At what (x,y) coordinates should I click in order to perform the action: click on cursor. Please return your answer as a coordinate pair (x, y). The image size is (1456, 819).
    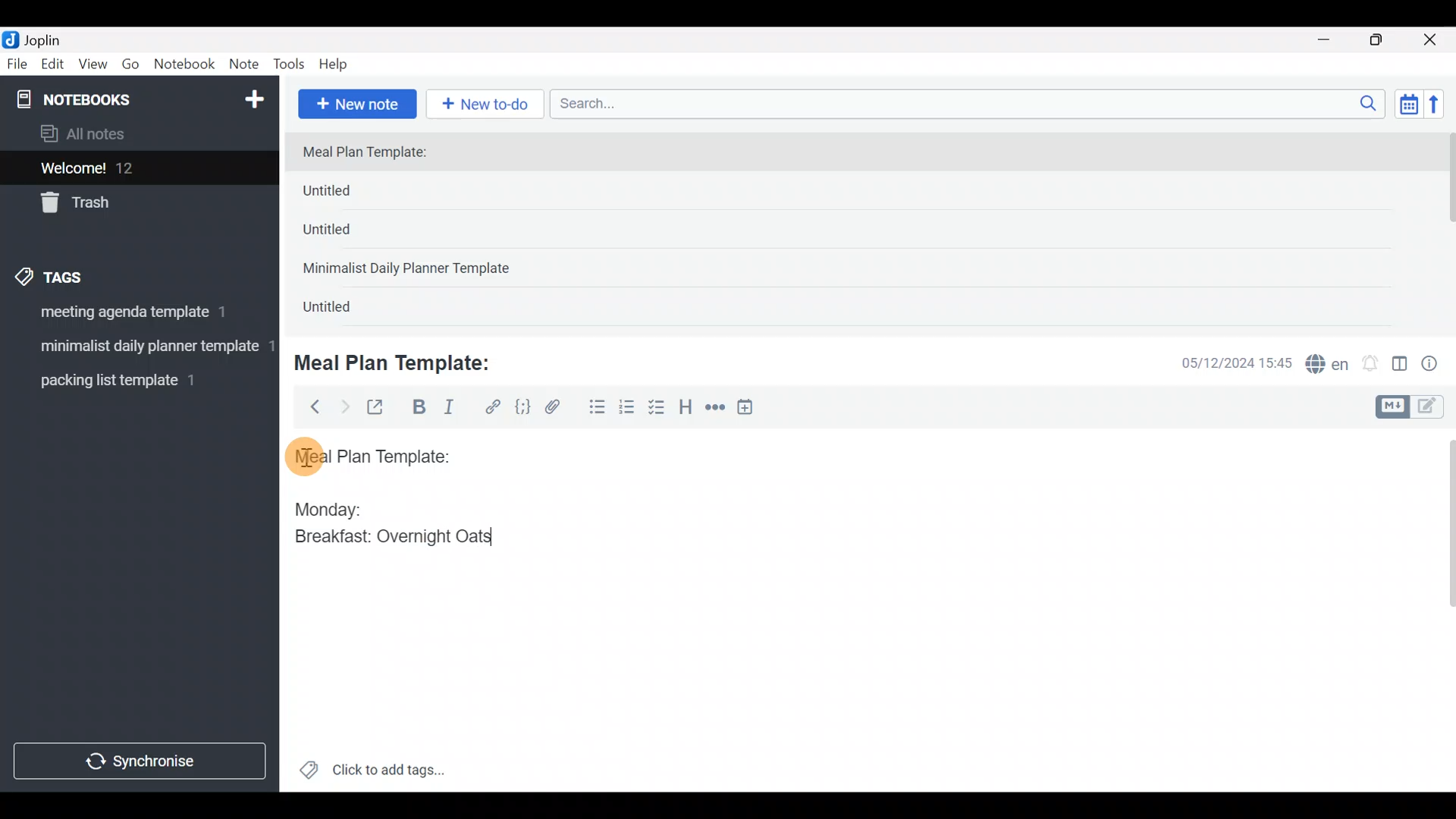
    Looking at the image, I should click on (303, 456).